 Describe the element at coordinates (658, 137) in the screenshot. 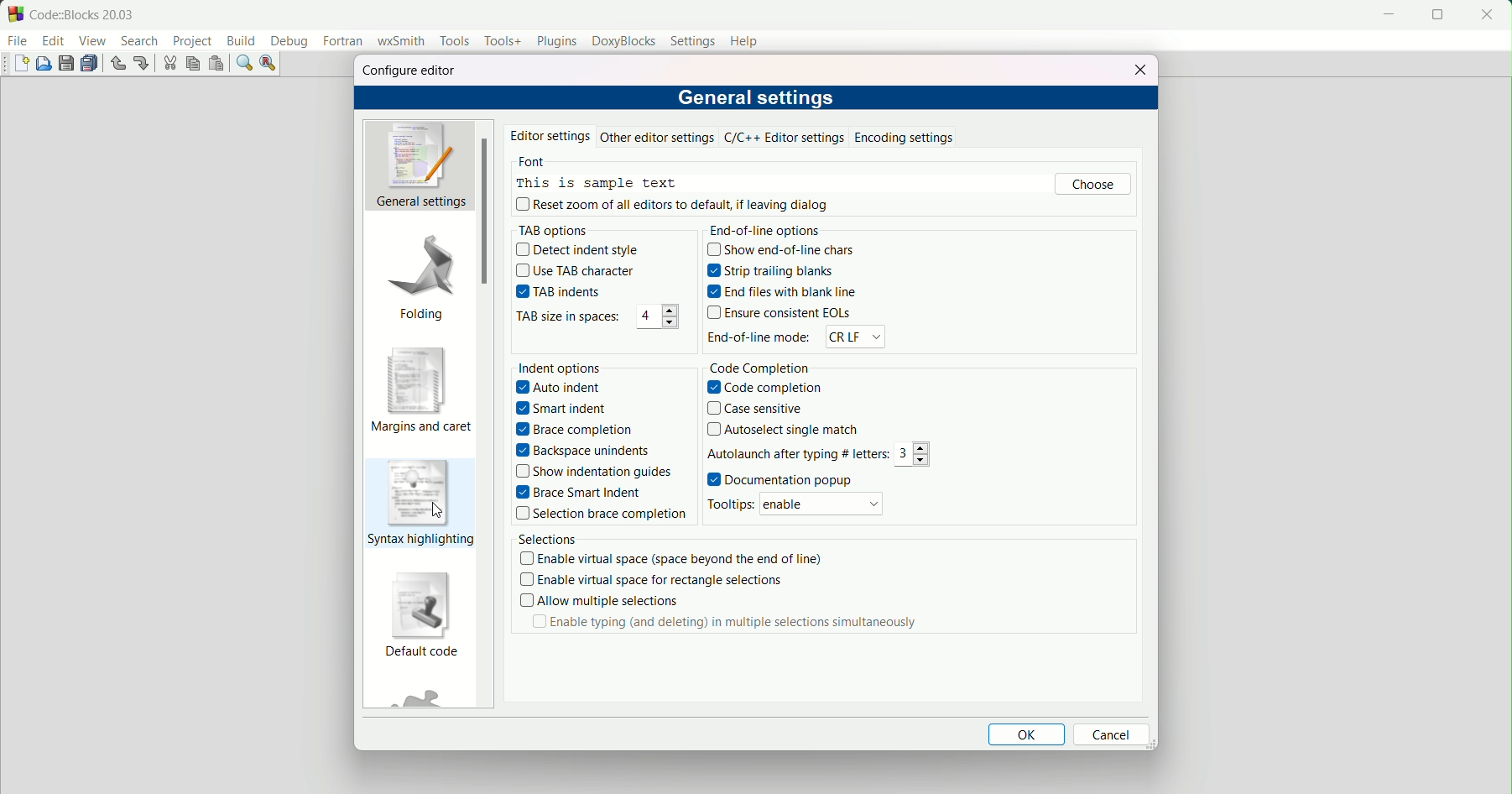

I see `other settings` at that location.